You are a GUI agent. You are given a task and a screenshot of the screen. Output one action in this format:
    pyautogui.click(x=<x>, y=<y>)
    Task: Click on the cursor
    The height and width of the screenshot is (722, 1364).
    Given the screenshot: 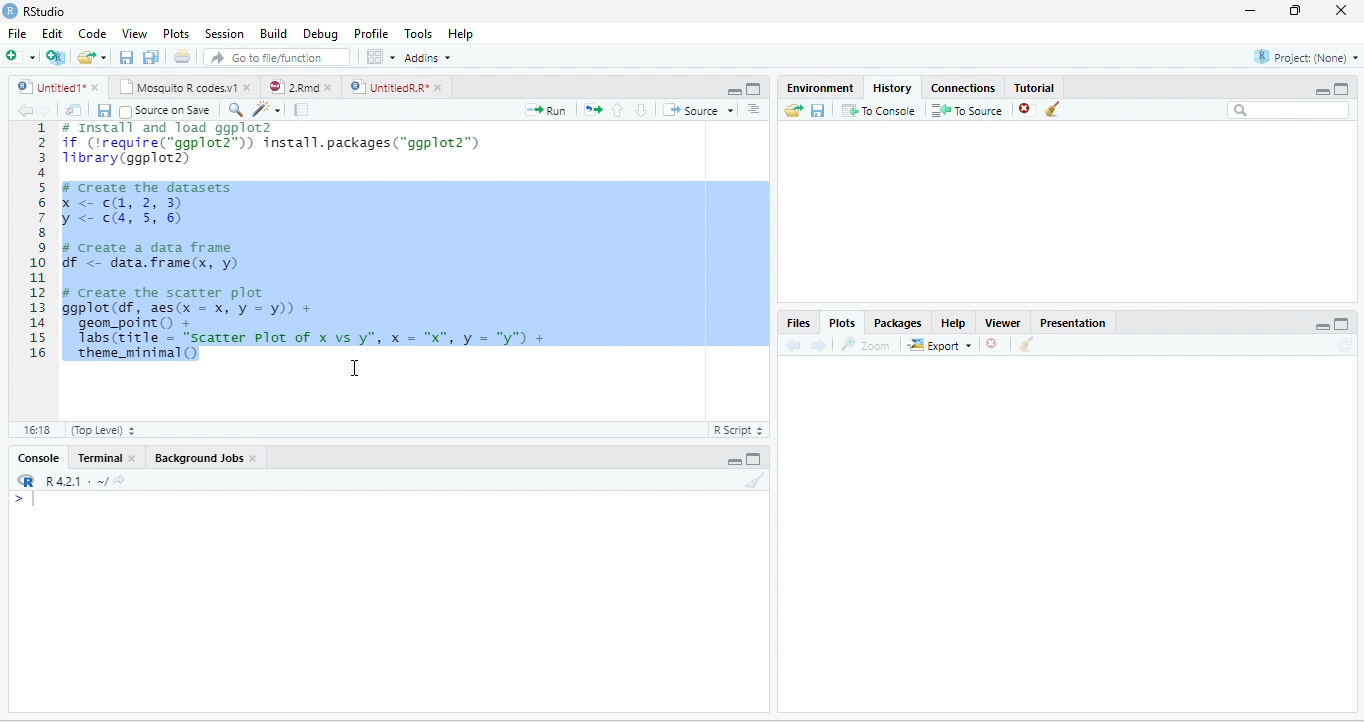 What is the action you would take?
    pyautogui.click(x=354, y=366)
    